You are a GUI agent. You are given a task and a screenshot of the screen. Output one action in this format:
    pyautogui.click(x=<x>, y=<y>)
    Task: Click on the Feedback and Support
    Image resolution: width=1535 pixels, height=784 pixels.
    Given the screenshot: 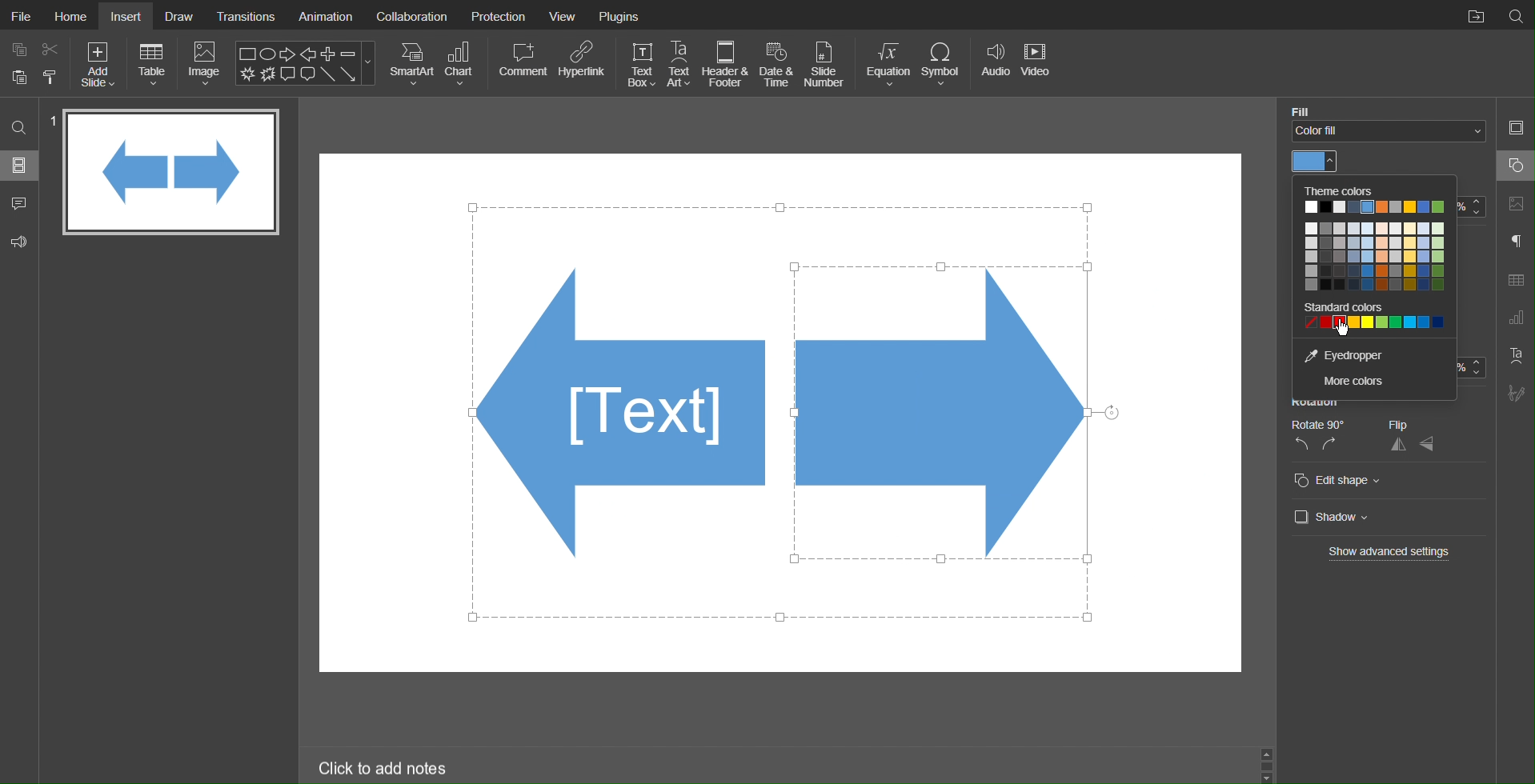 What is the action you would take?
    pyautogui.click(x=19, y=238)
    